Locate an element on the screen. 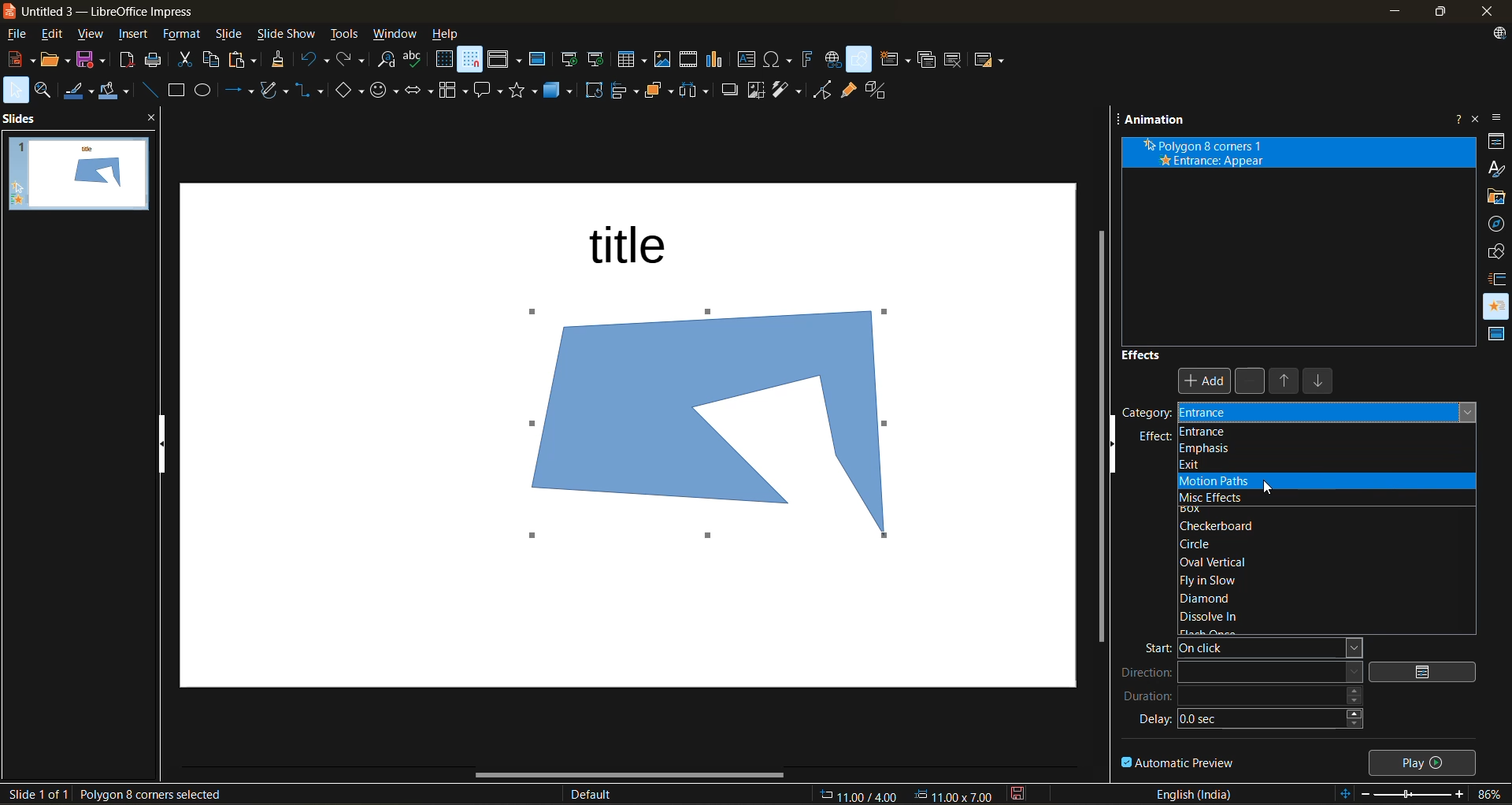 Image resolution: width=1512 pixels, height=805 pixels. paste is located at coordinates (244, 59).